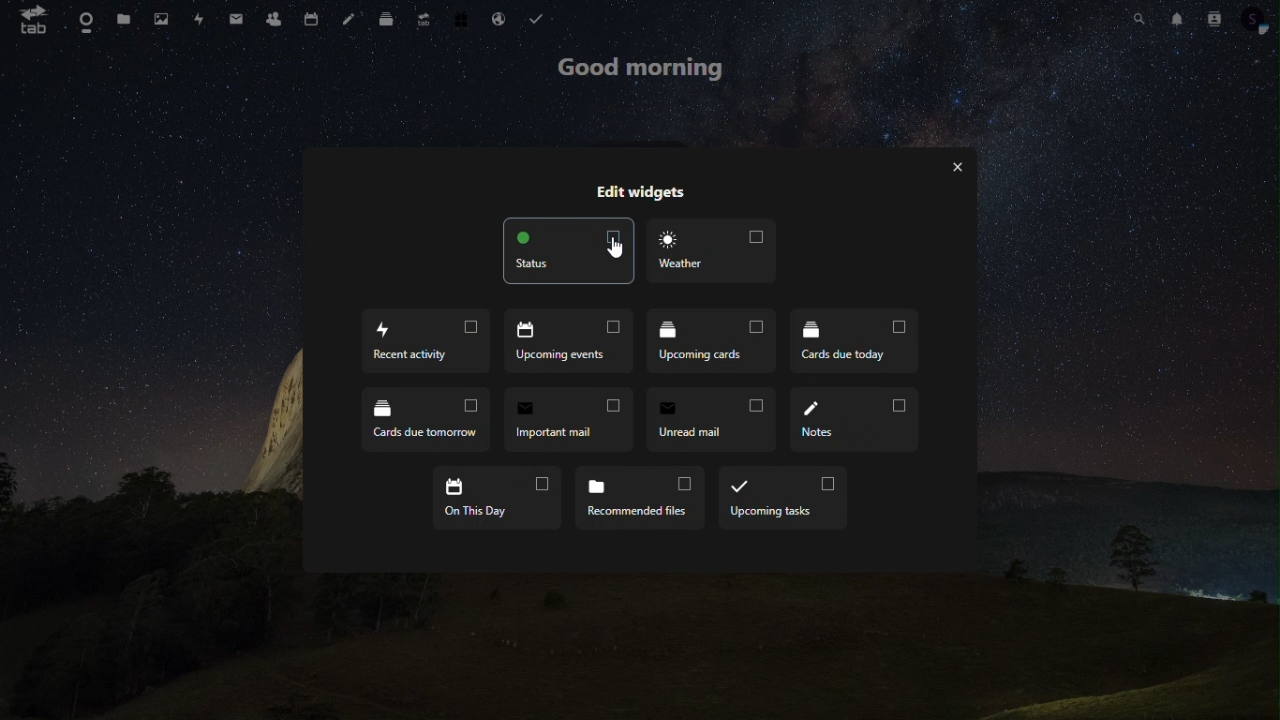 This screenshot has height=720, width=1280. I want to click on dashboard, so click(83, 19).